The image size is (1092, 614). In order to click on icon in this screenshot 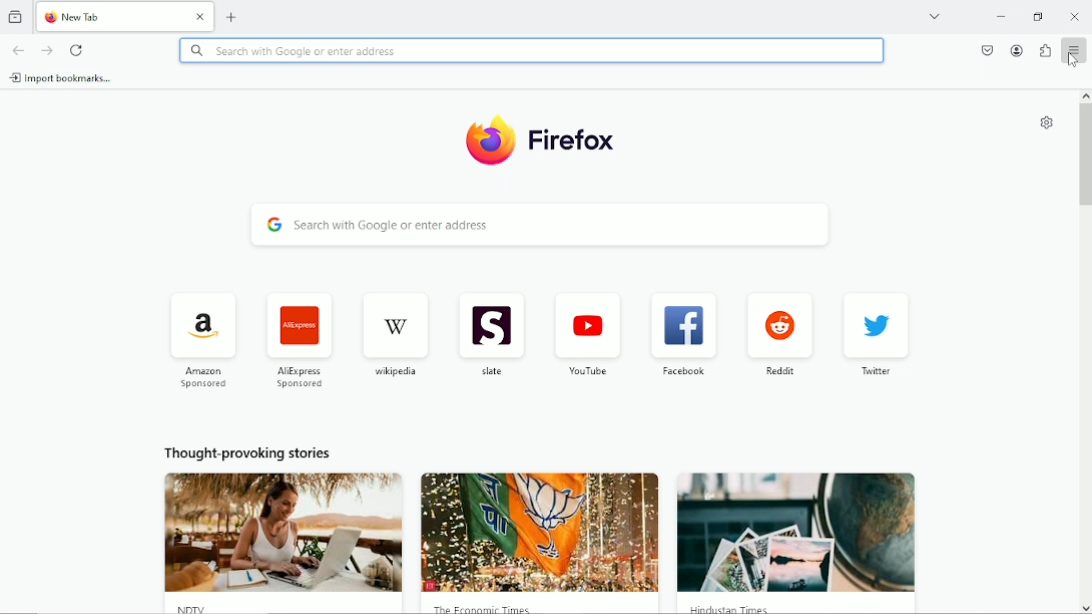, I will do `click(201, 323)`.